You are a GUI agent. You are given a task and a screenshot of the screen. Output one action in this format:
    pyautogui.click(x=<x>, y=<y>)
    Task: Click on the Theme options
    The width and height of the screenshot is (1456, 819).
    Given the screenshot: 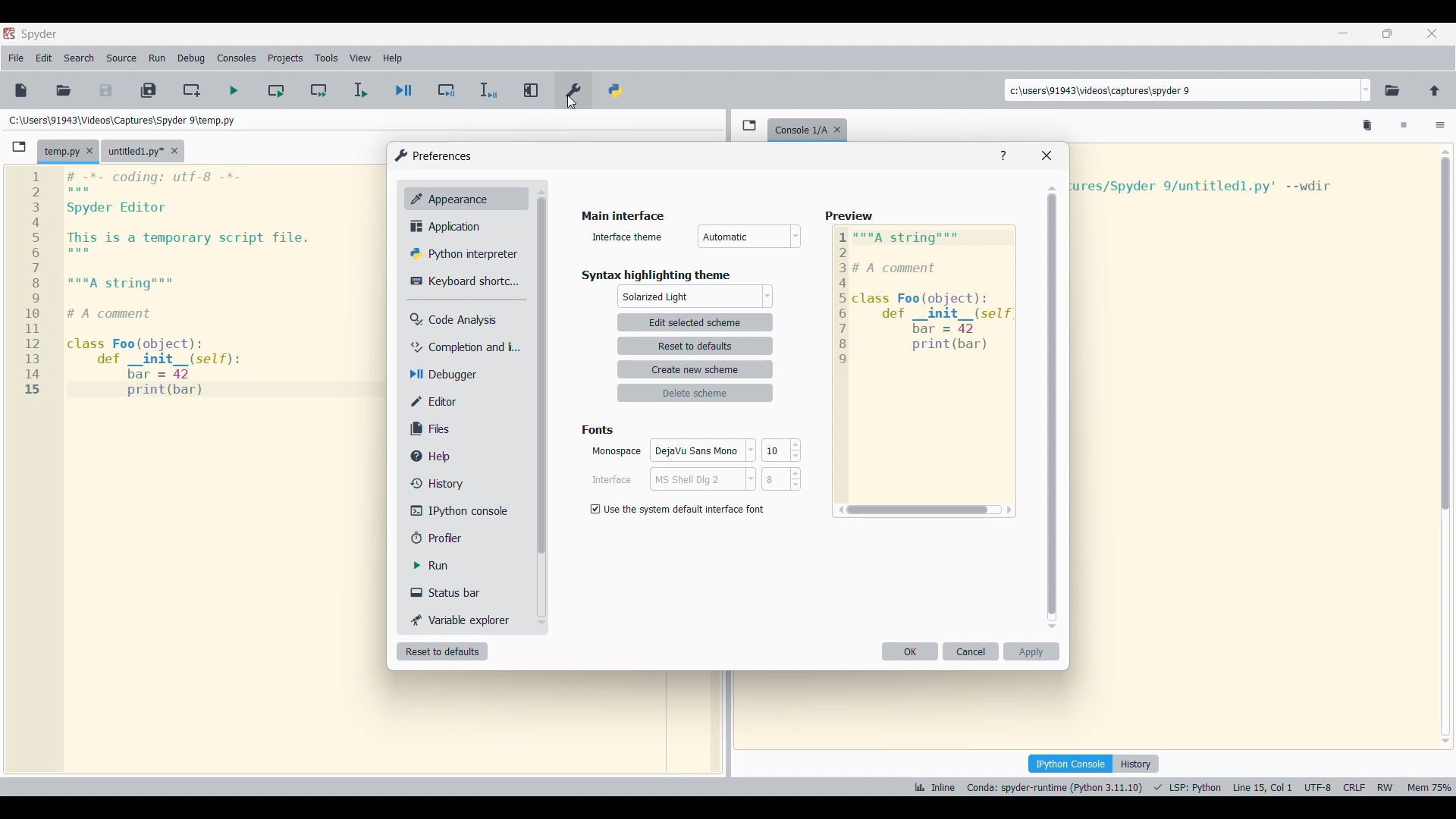 What is the action you would take?
    pyautogui.click(x=696, y=297)
    